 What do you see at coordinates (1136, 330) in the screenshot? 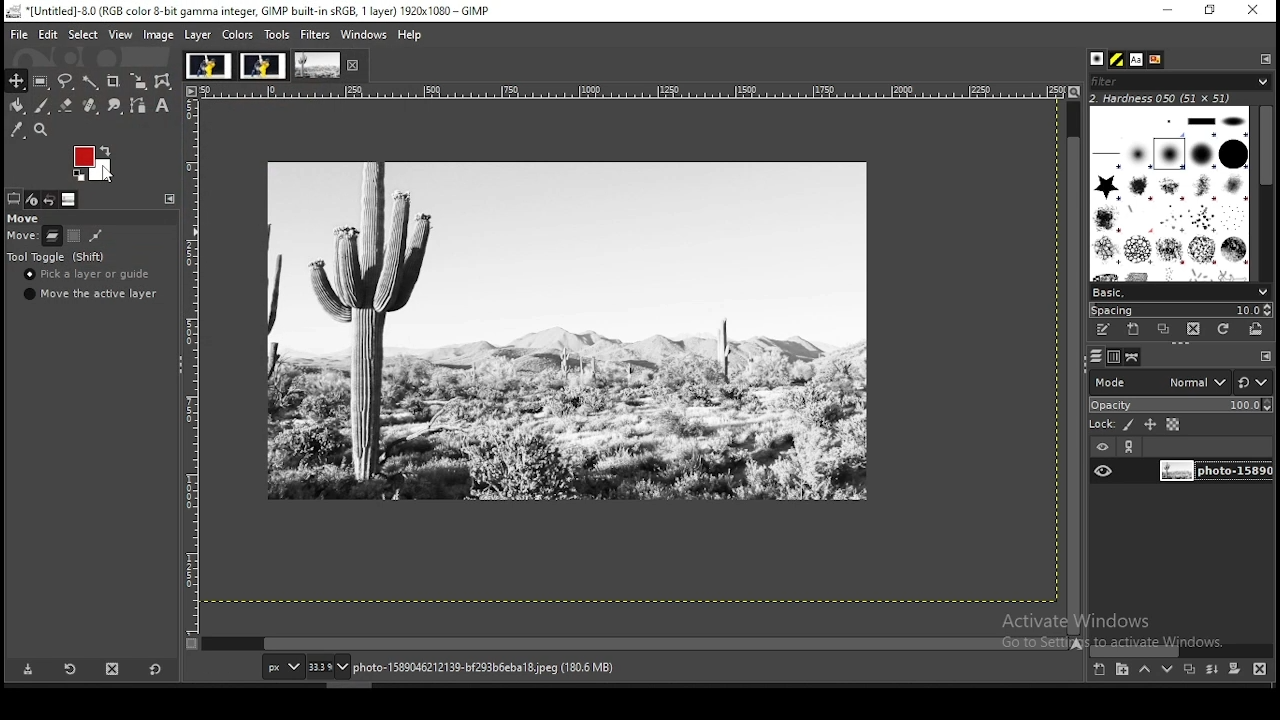
I see `create a new brush` at bounding box center [1136, 330].